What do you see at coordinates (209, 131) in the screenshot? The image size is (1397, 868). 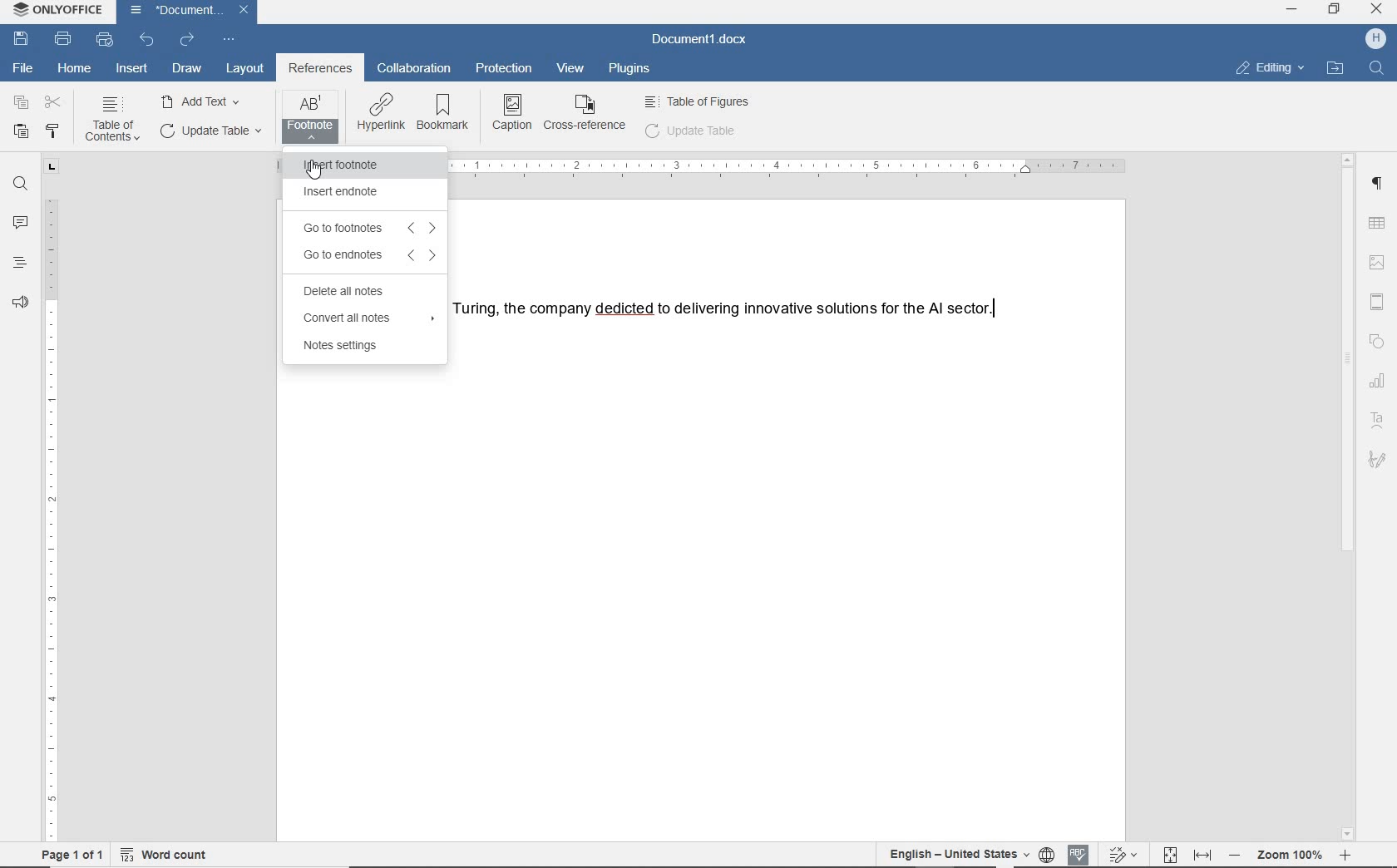 I see `update table` at bounding box center [209, 131].